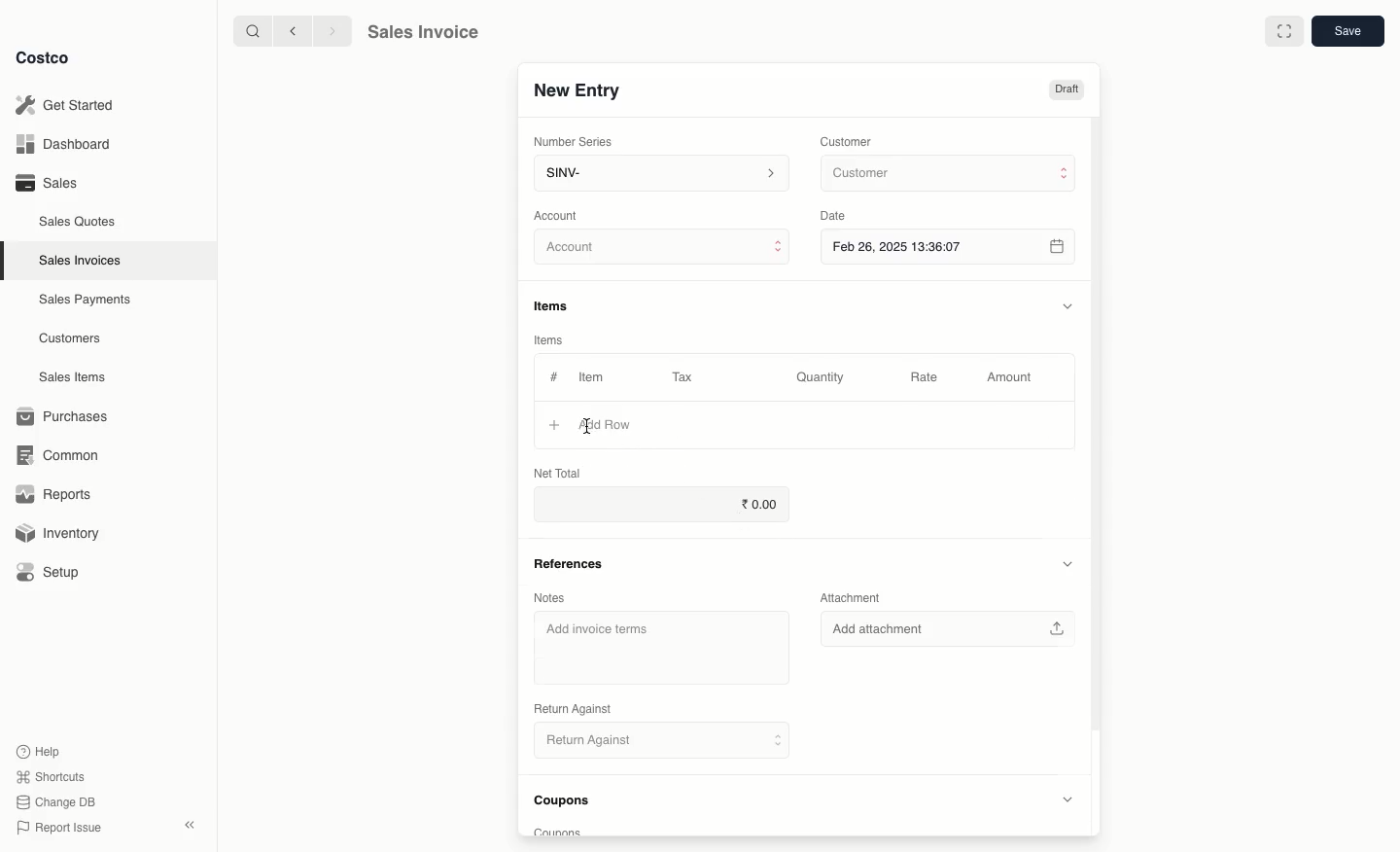 The image size is (1400, 852). Describe the element at coordinates (549, 339) in the screenshot. I see `Items` at that location.